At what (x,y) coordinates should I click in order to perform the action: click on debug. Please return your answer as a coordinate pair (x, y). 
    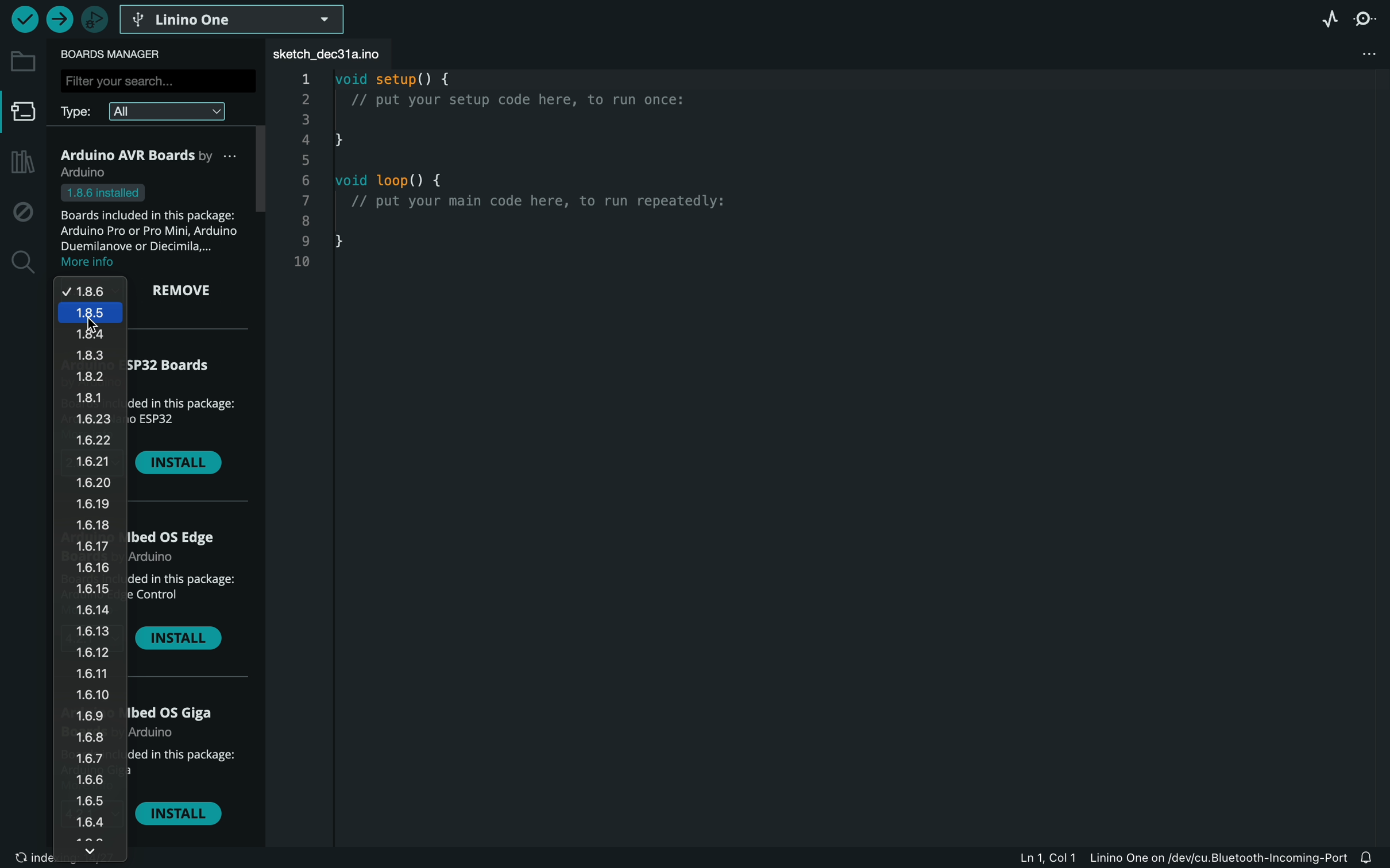
    Looking at the image, I should click on (23, 212).